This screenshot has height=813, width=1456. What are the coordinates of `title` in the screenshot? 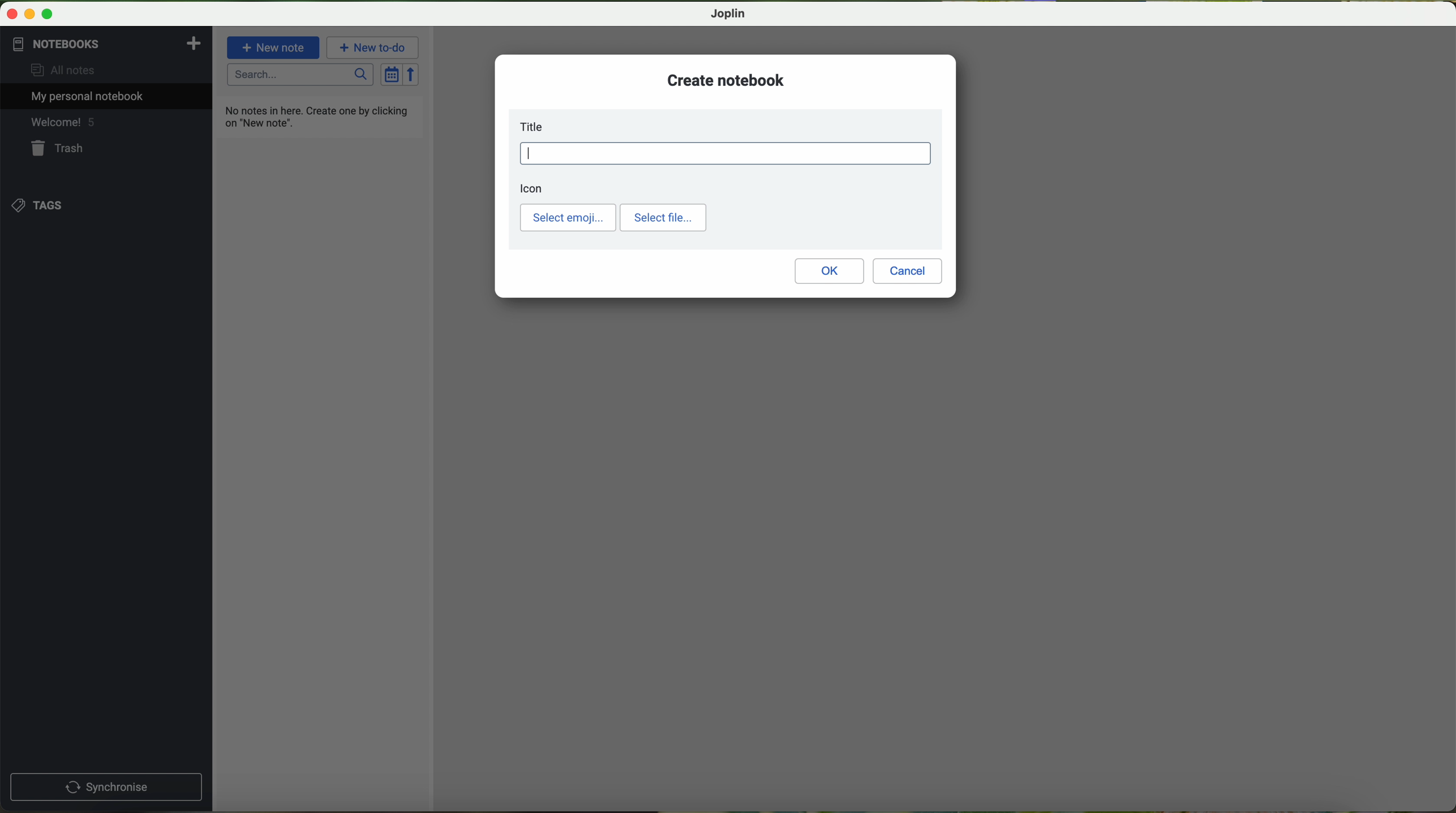 It's located at (535, 127).